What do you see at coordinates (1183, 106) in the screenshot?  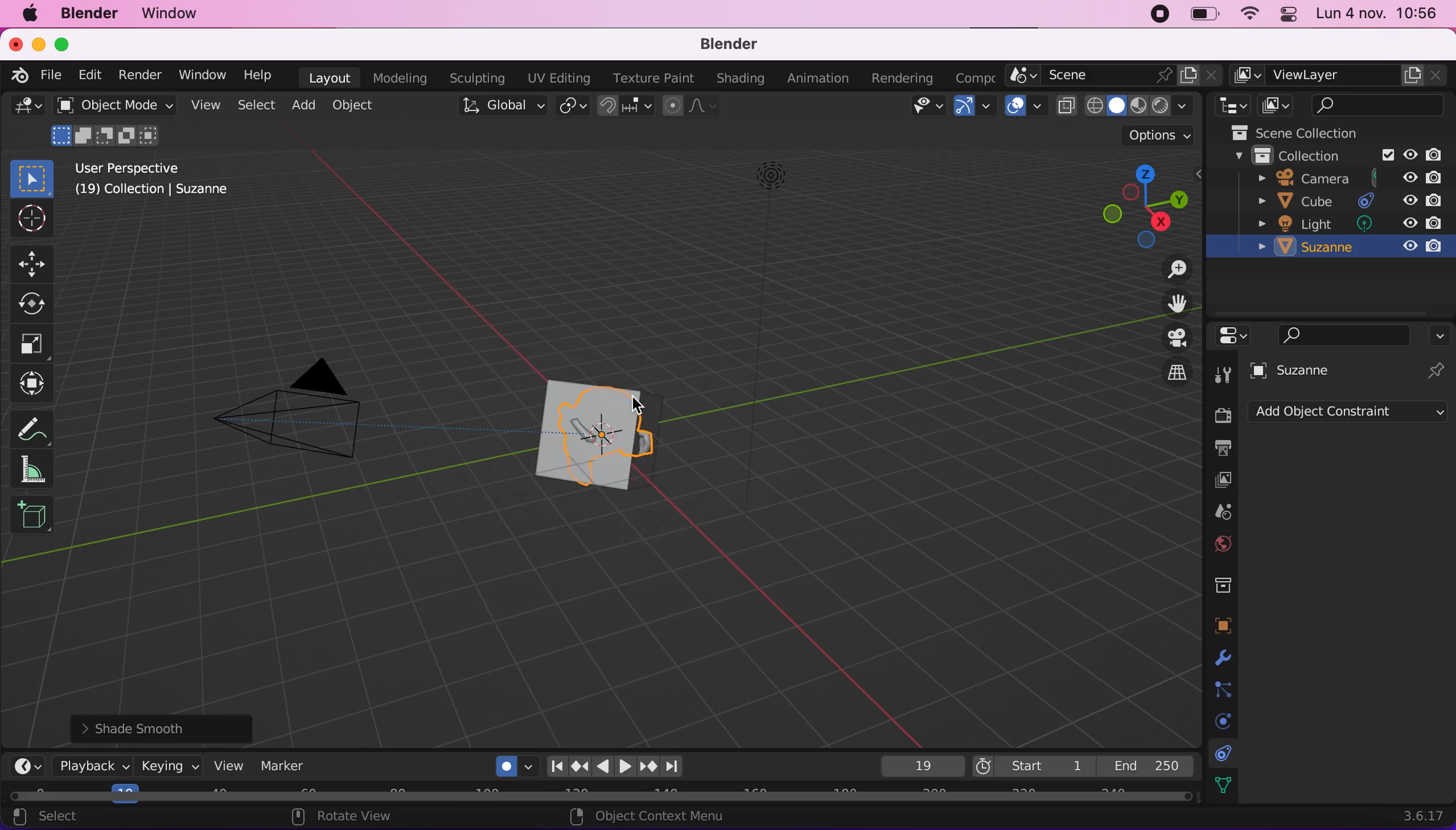 I see `shading` at bounding box center [1183, 106].